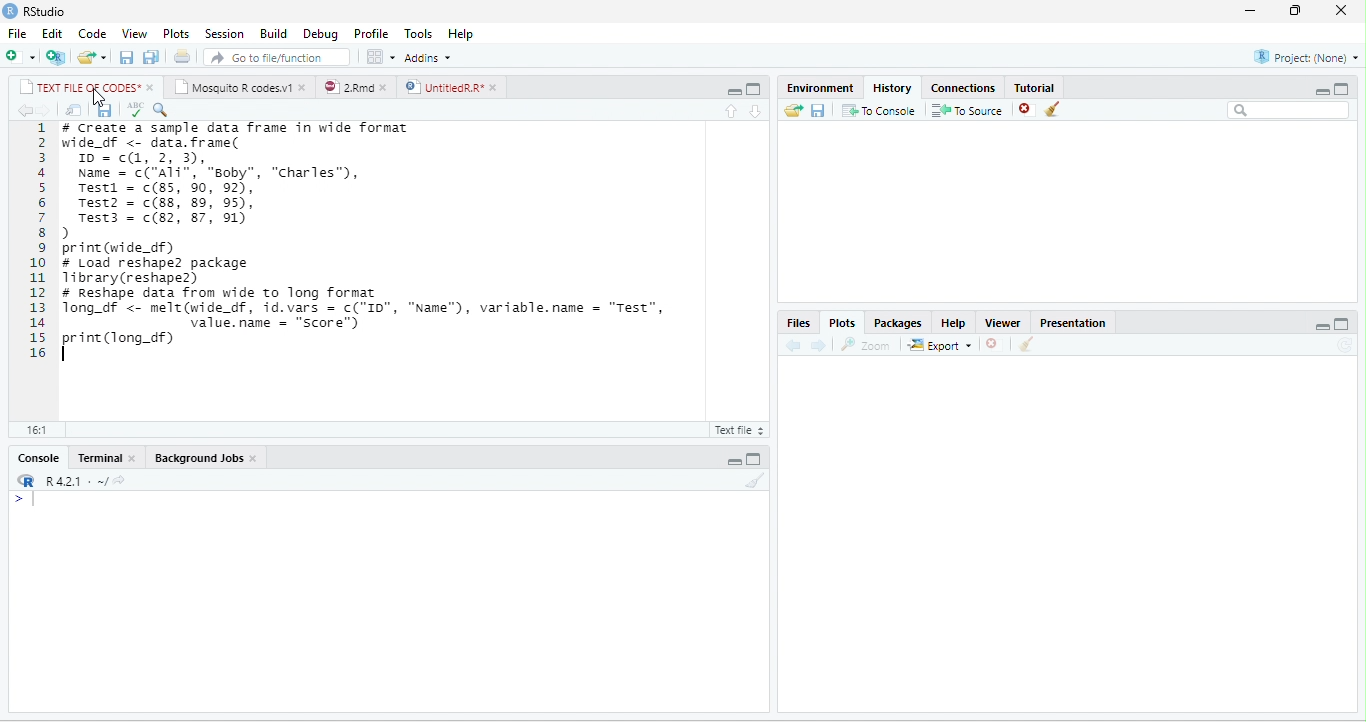  What do you see at coordinates (1323, 91) in the screenshot?
I see `minimize` at bounding box center [1323, 91].